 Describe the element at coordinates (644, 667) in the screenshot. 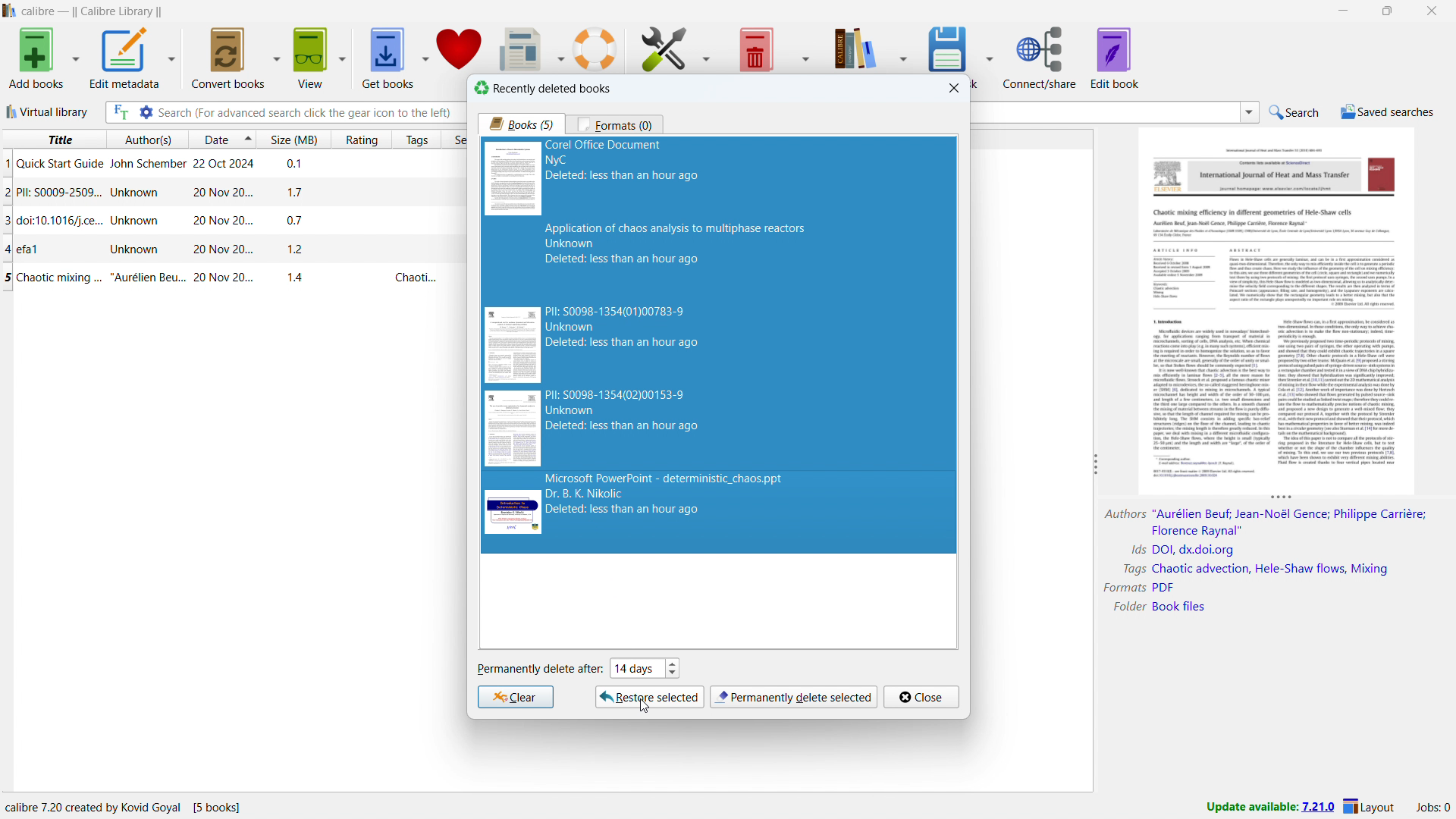

I see `set when to permanently delete` at that location.